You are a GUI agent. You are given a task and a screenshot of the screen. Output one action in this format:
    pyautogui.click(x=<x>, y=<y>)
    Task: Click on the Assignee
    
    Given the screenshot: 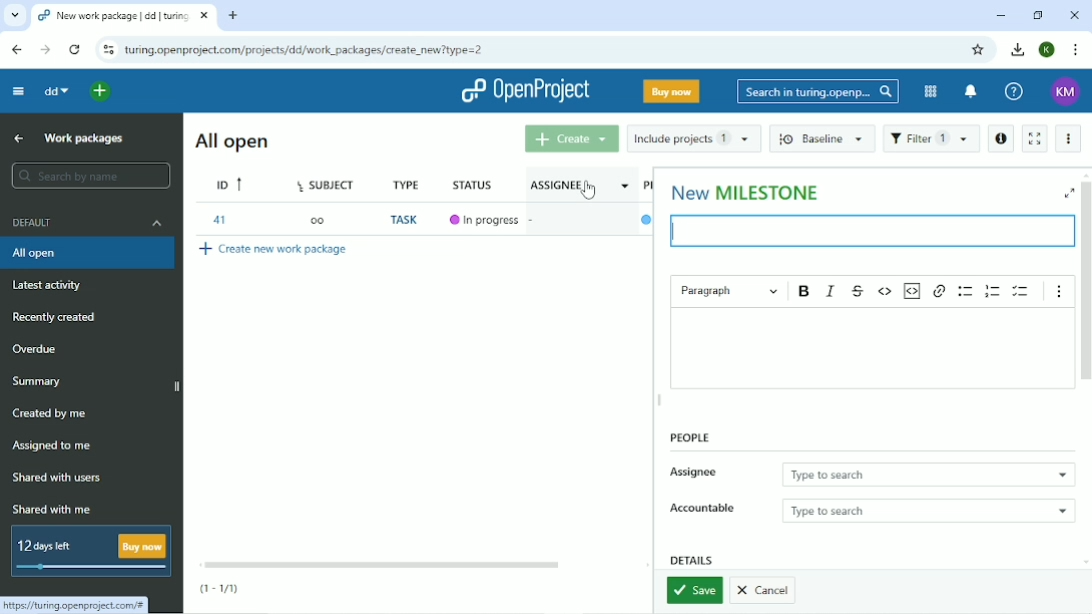 What is the action you would take?
    pyautogui.click(x=873, y=474)
    